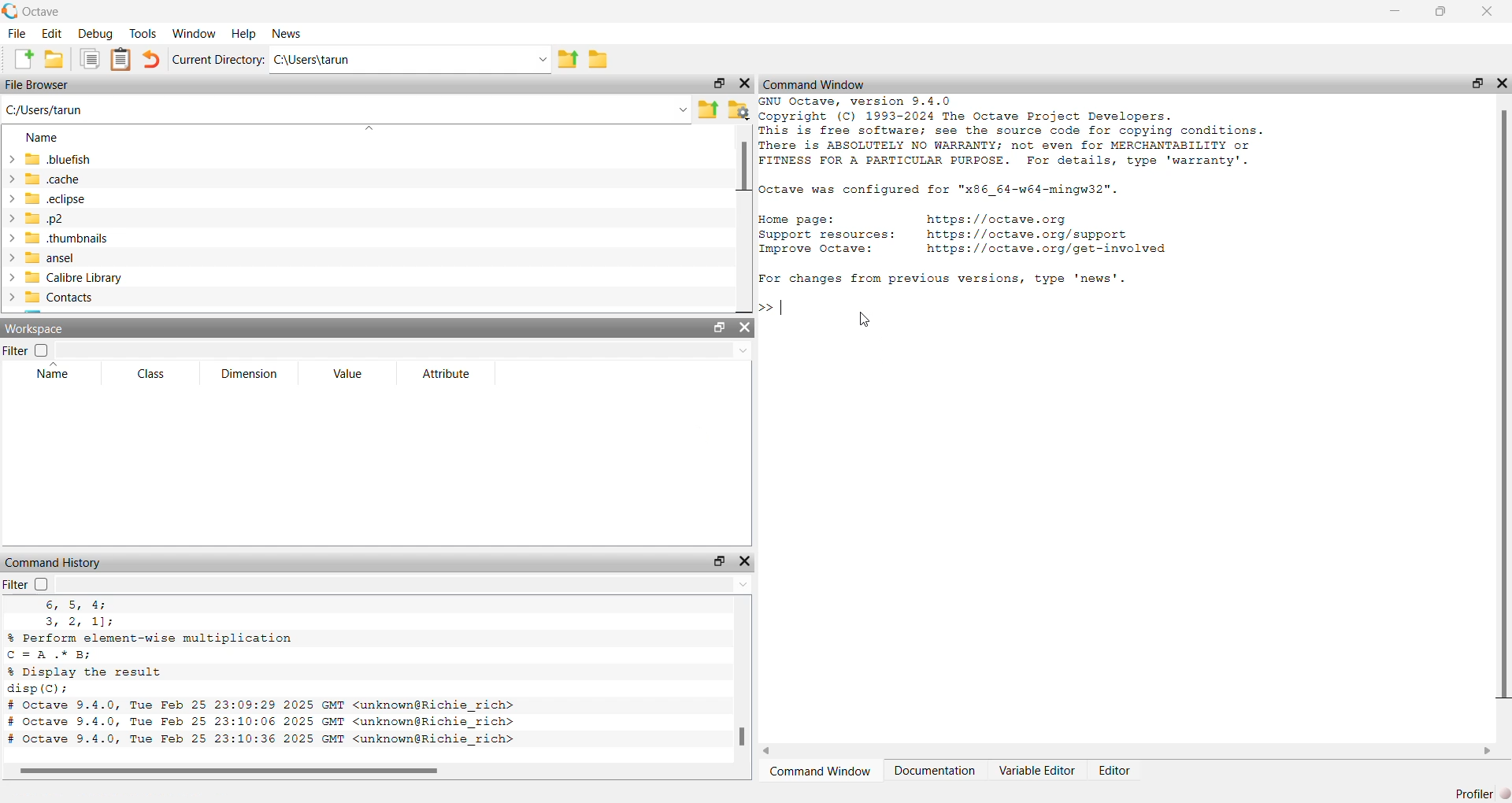  Describe the element at coordinates (778, 309) in the screenshot. I see `Typing indicator` at that location.